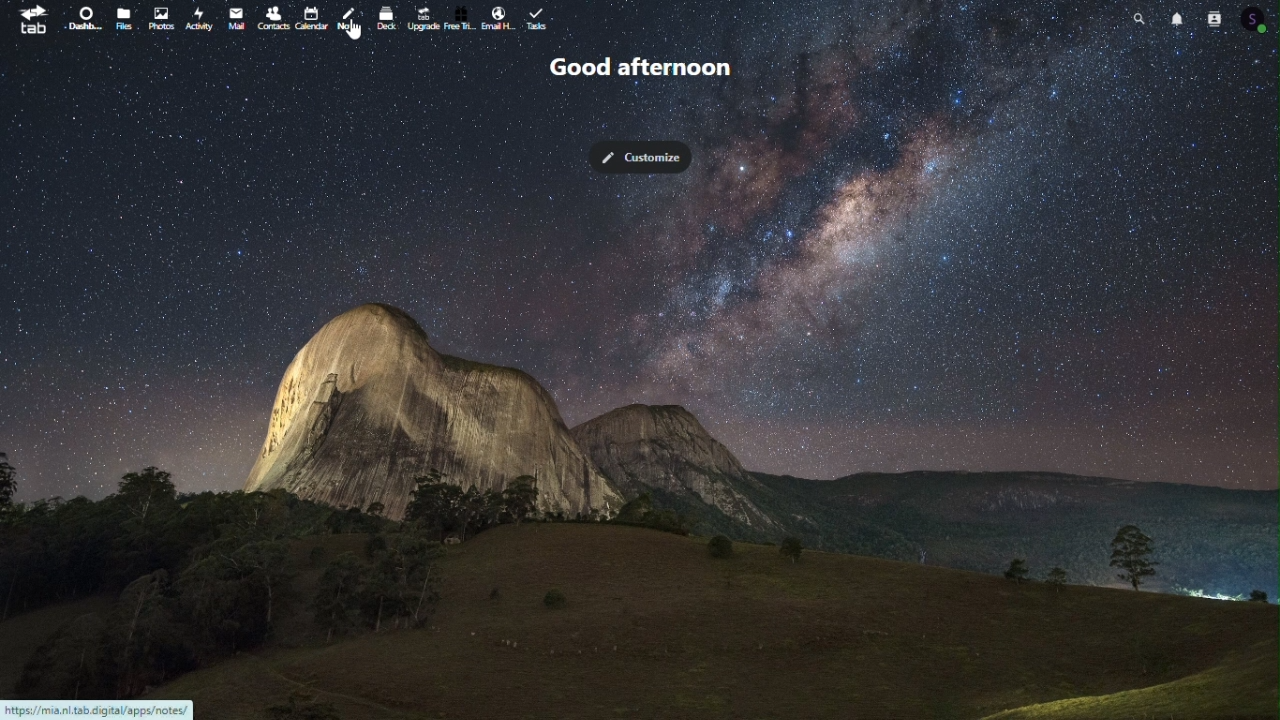 Image resolution: width=1280 pixels, height=720 pixels. I want to click on Notes, so click(355, 22).